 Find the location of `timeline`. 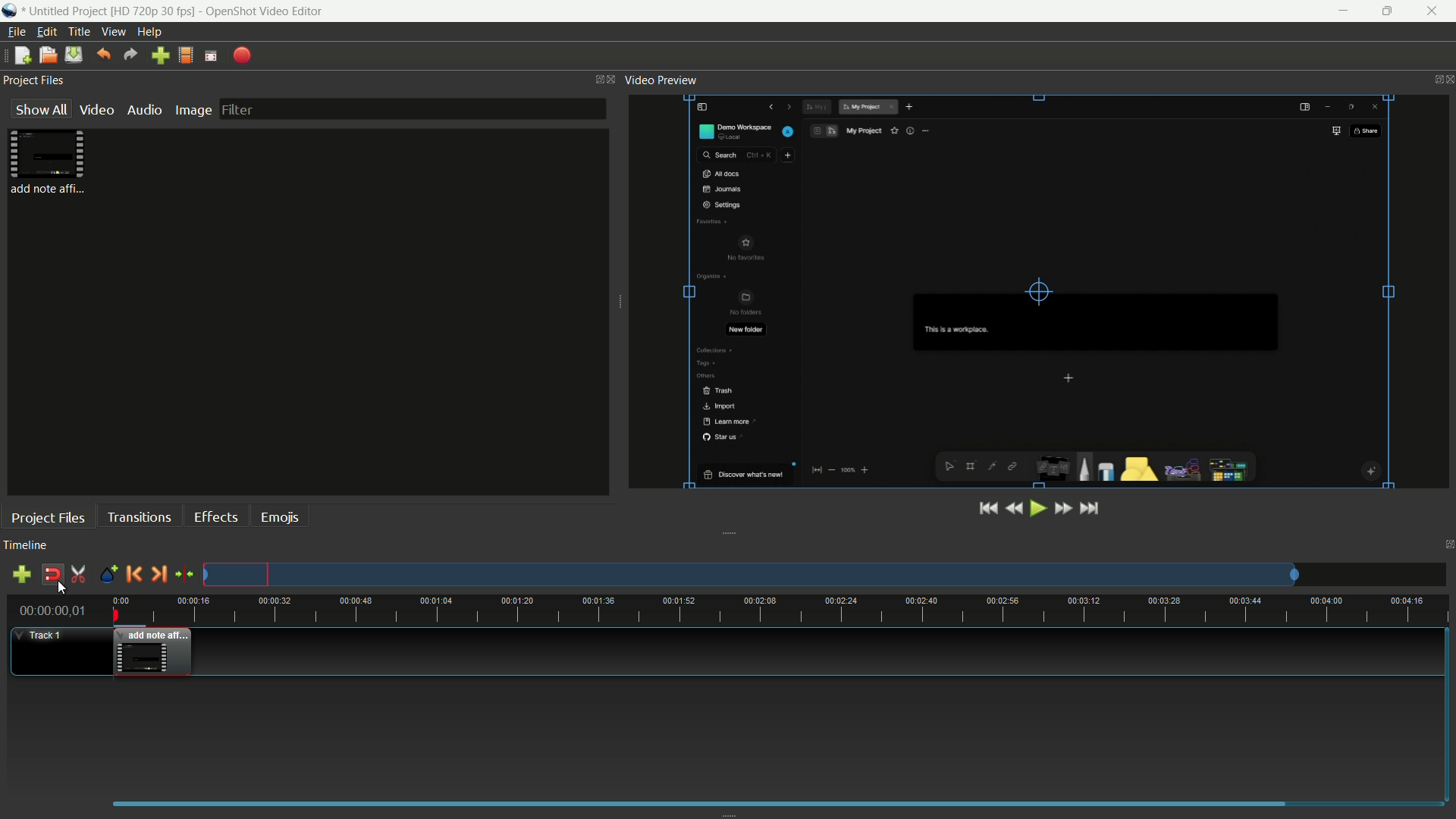

timeline is located at coordinates (25, 546).